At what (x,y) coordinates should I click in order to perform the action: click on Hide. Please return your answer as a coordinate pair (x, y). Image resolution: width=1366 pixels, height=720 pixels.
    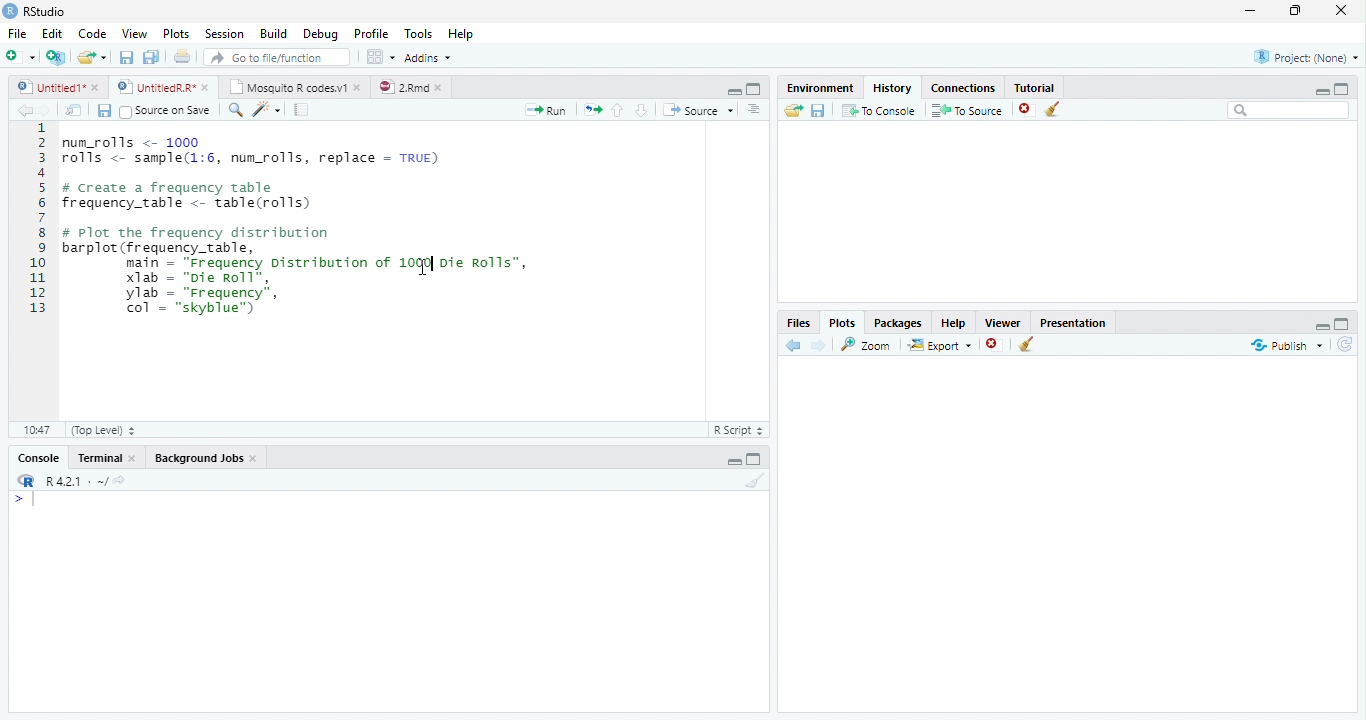
    Looking at the image, I should click on (1322, 327).